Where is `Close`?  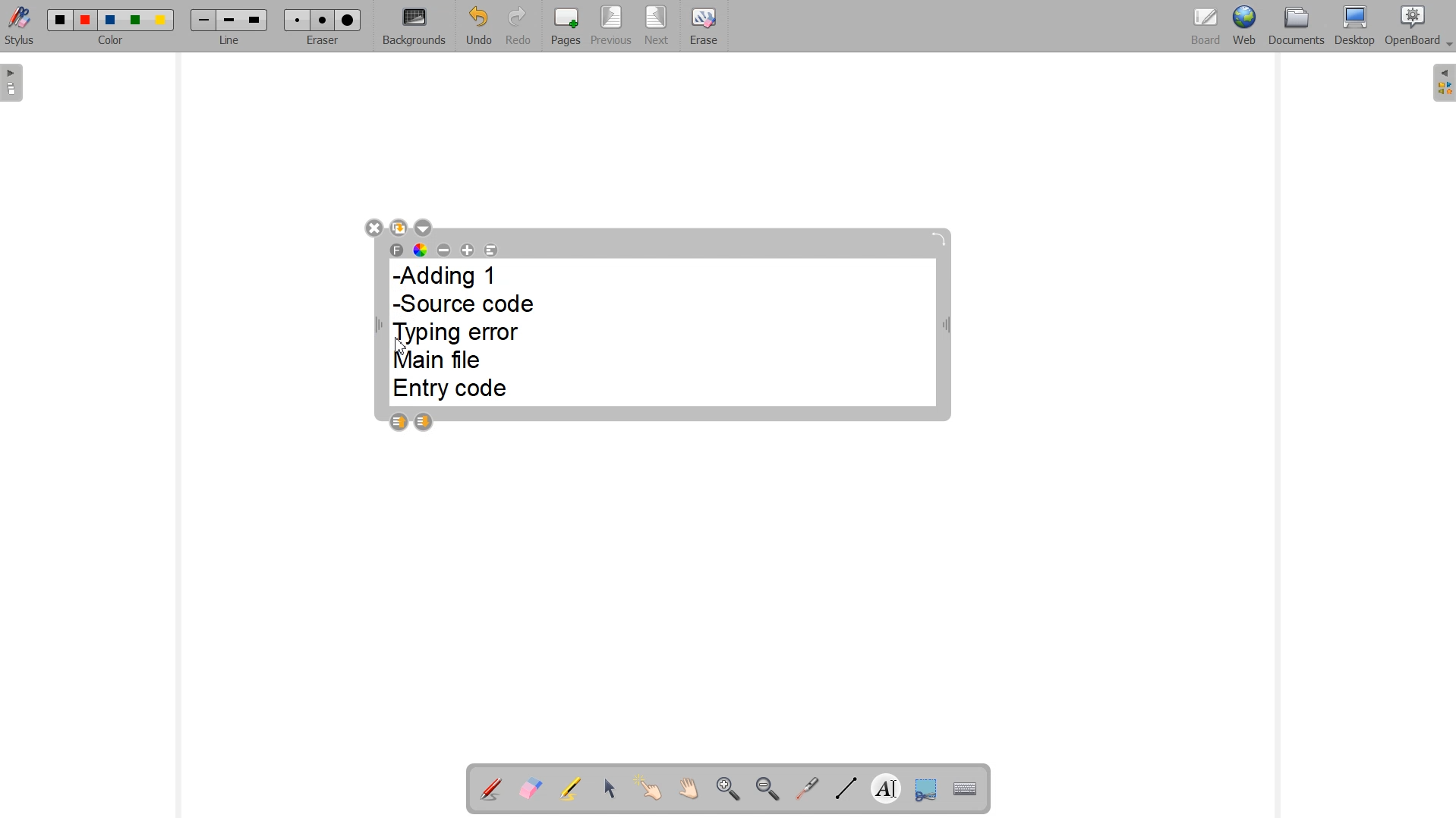 Close is located at coordinates (373, 227).